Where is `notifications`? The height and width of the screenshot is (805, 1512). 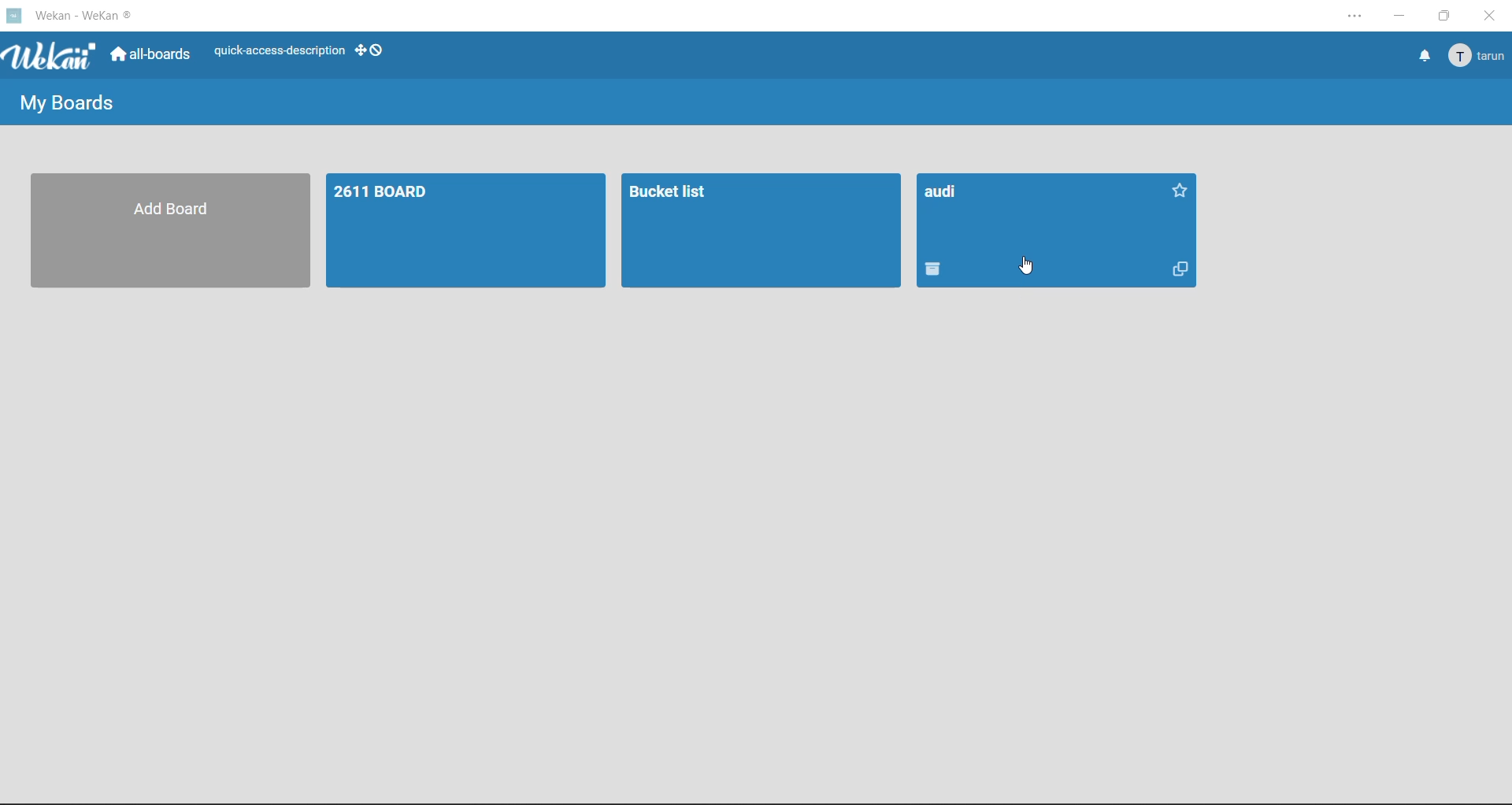
notifications is located at coordinates (1424, 57).